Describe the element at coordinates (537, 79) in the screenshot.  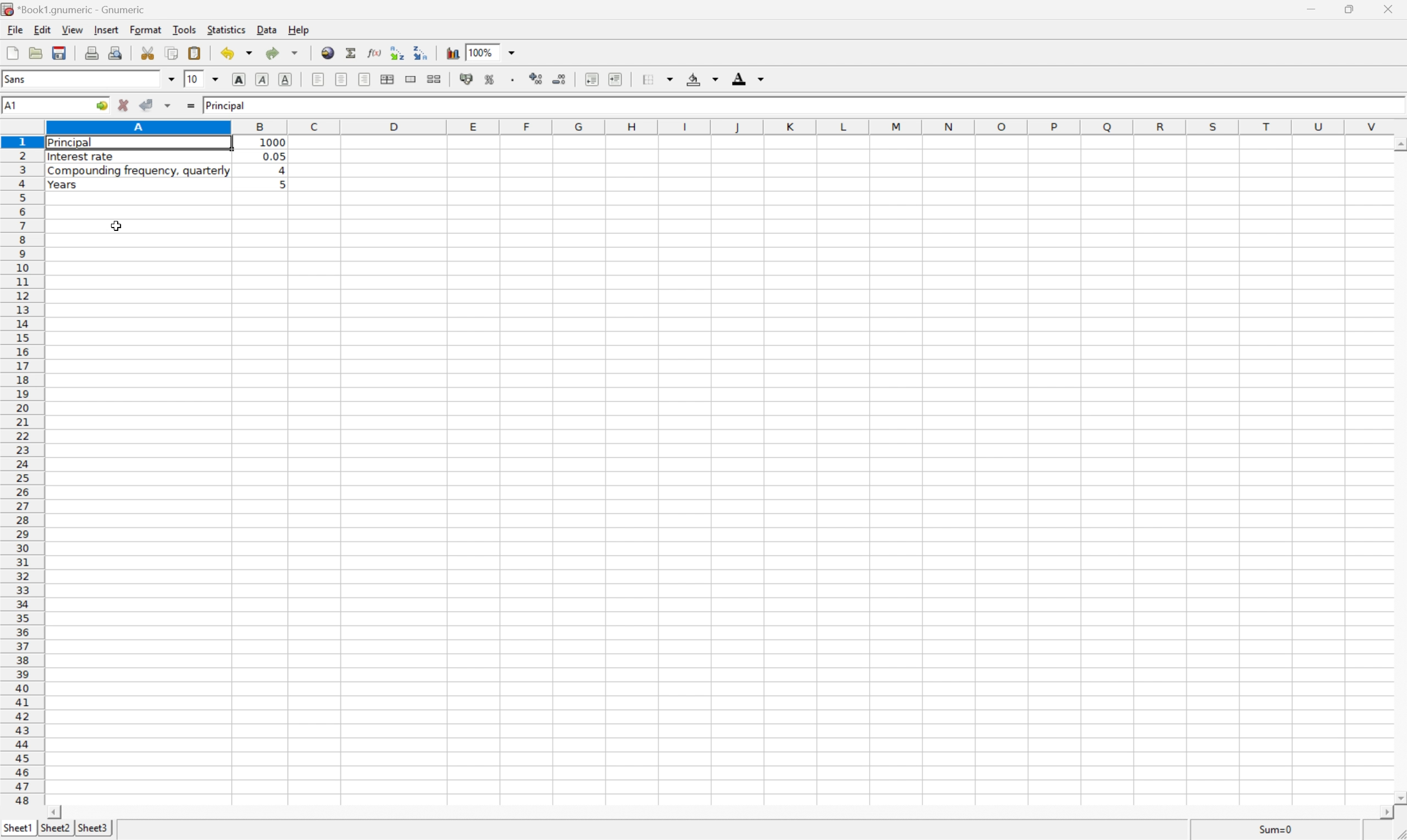
I see `increase number of decimals displayed` at that location.